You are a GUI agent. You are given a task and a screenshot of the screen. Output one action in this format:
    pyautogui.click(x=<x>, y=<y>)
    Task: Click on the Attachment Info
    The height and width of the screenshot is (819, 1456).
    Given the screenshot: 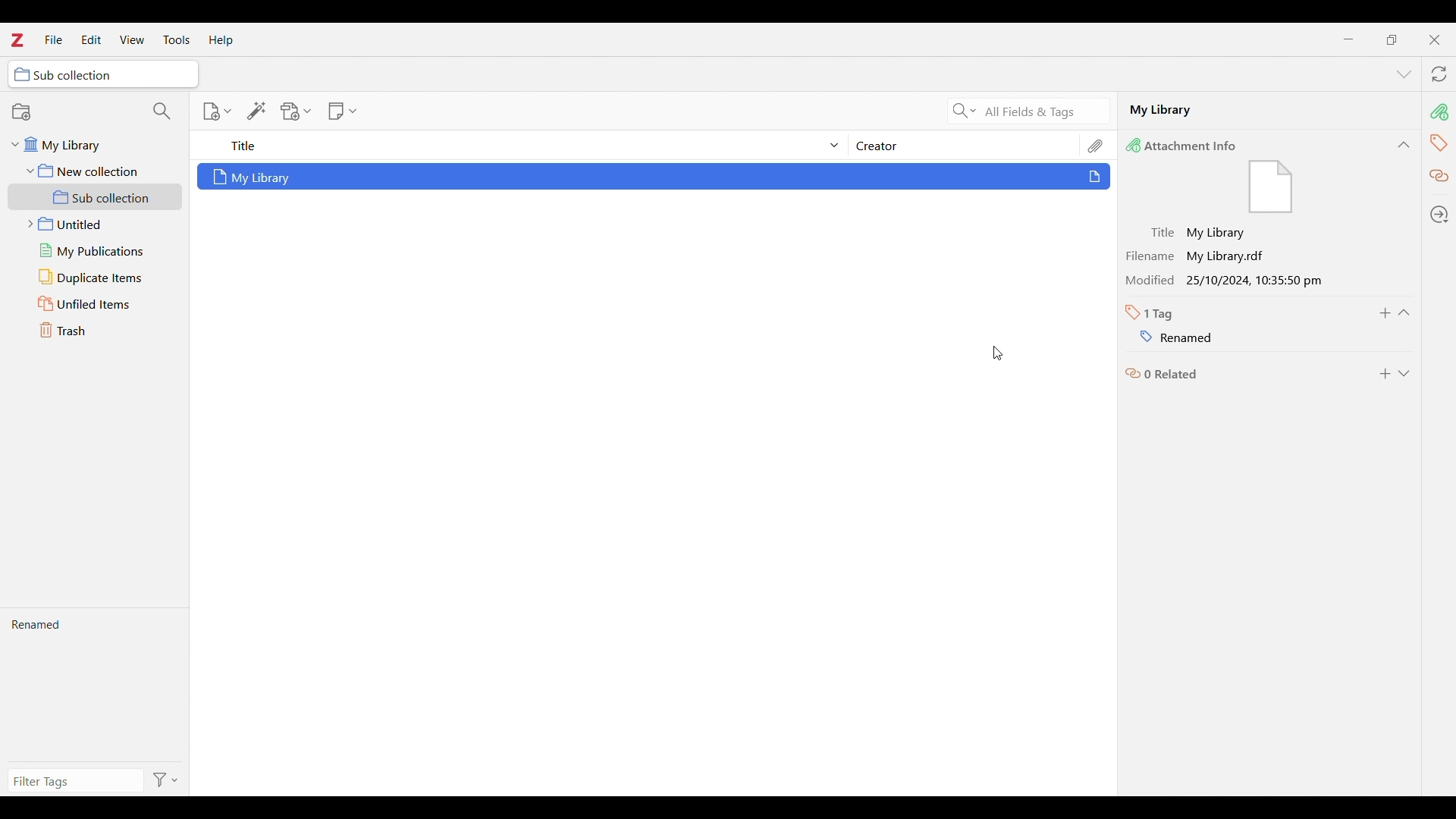 What is the action you would take?
    pyautogui.click(x=1185, y=145)
    